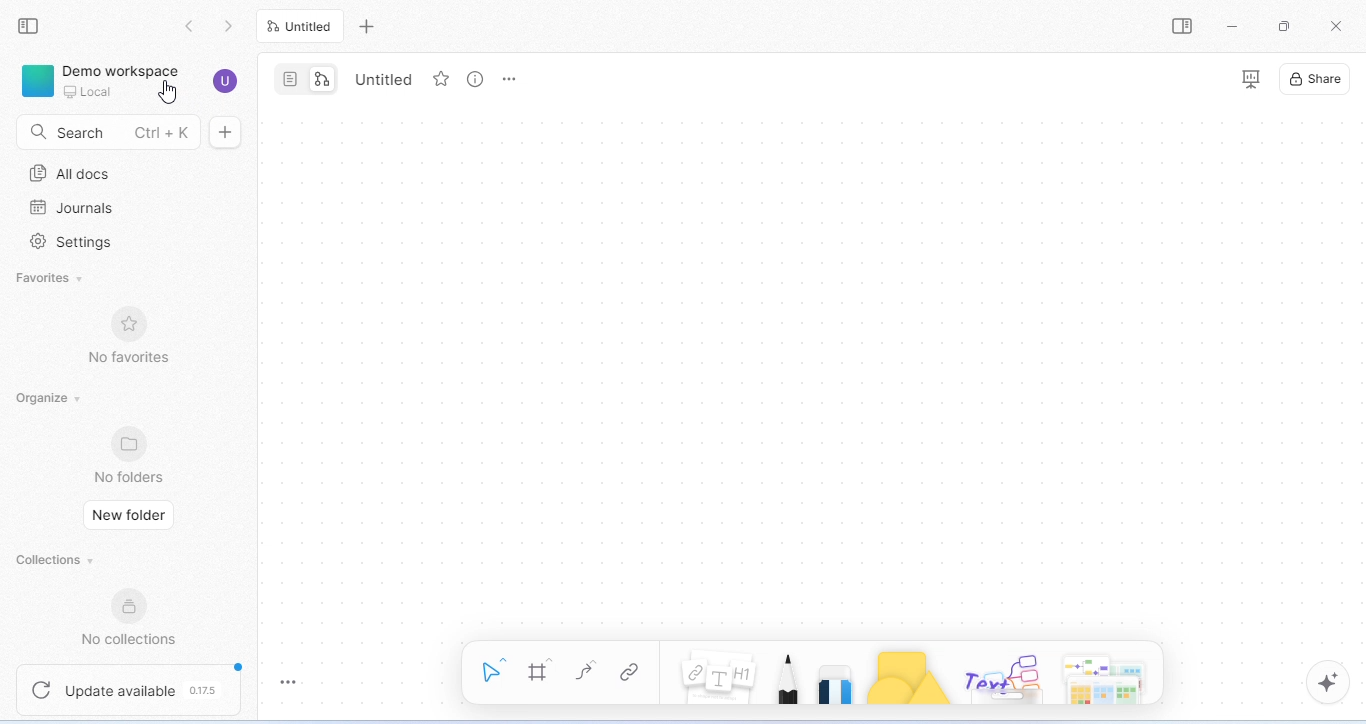 The image size is (1366, 724). What do you see at coordinates (288, 79) in the screenshot?
I see `page mode` at bounding box center [288, 79].